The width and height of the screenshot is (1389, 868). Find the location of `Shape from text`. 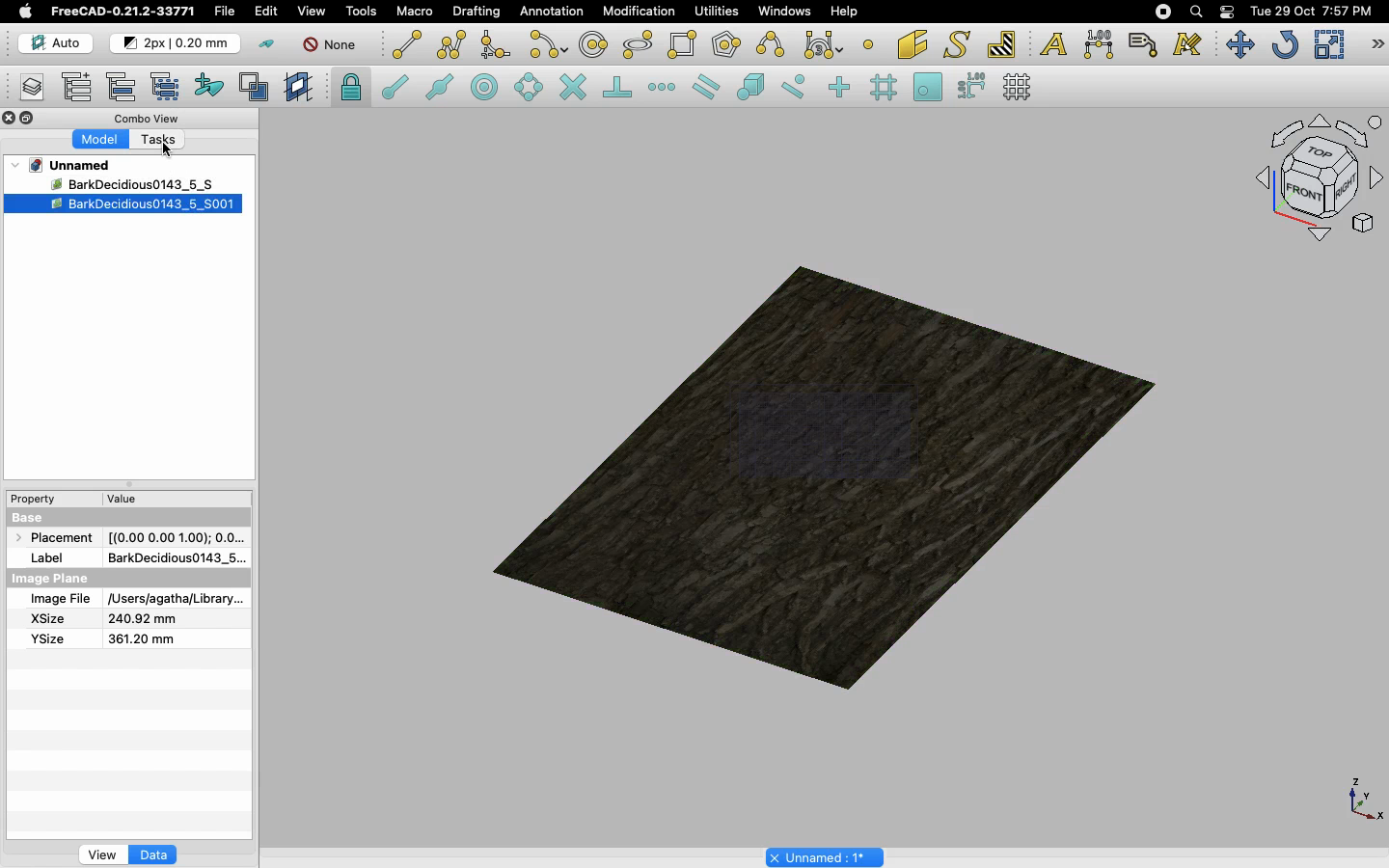

Shape from text is located at coordinates (960, 46).